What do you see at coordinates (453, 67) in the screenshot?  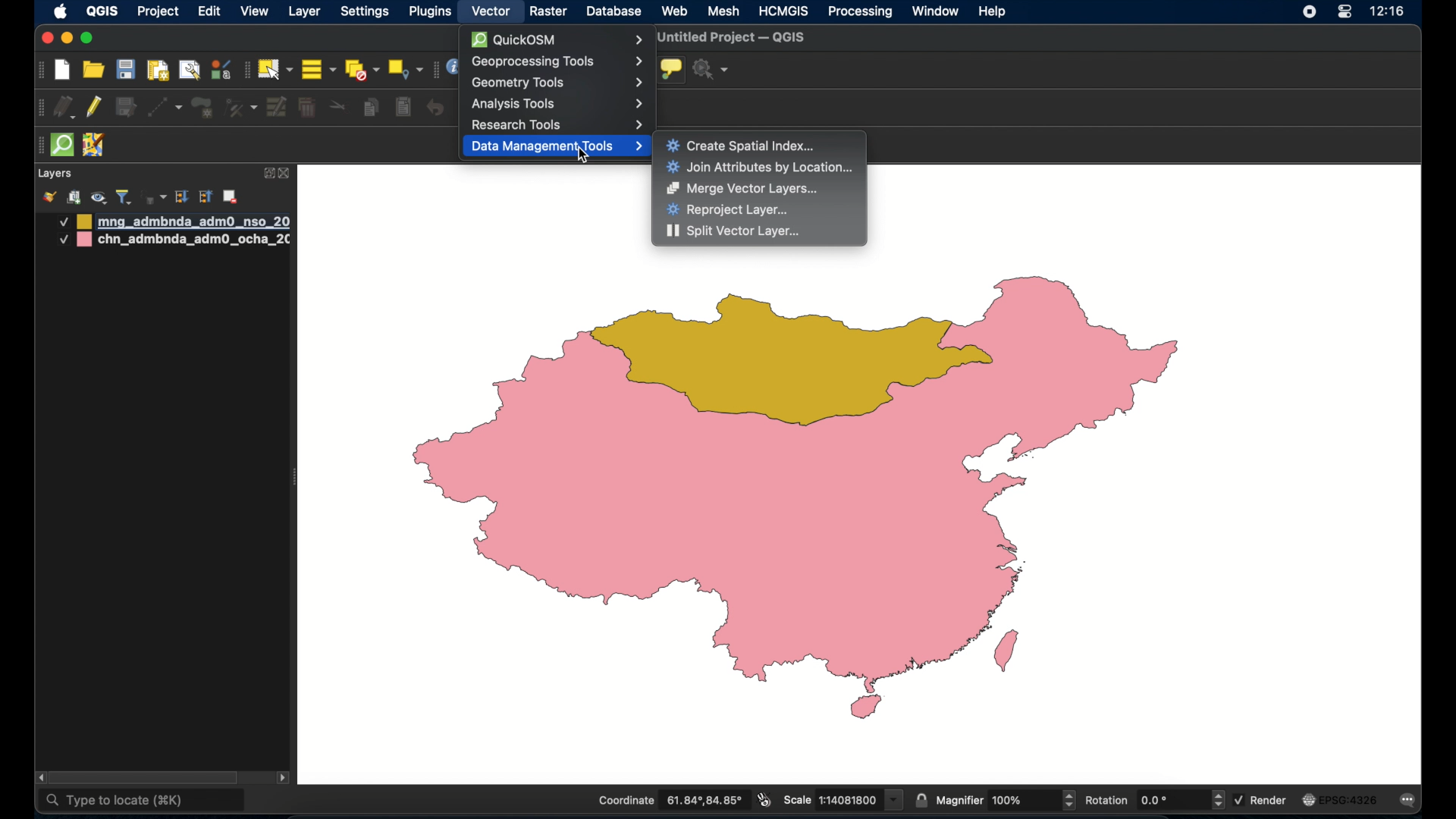 I see `information` at bounding box center [453, 67].